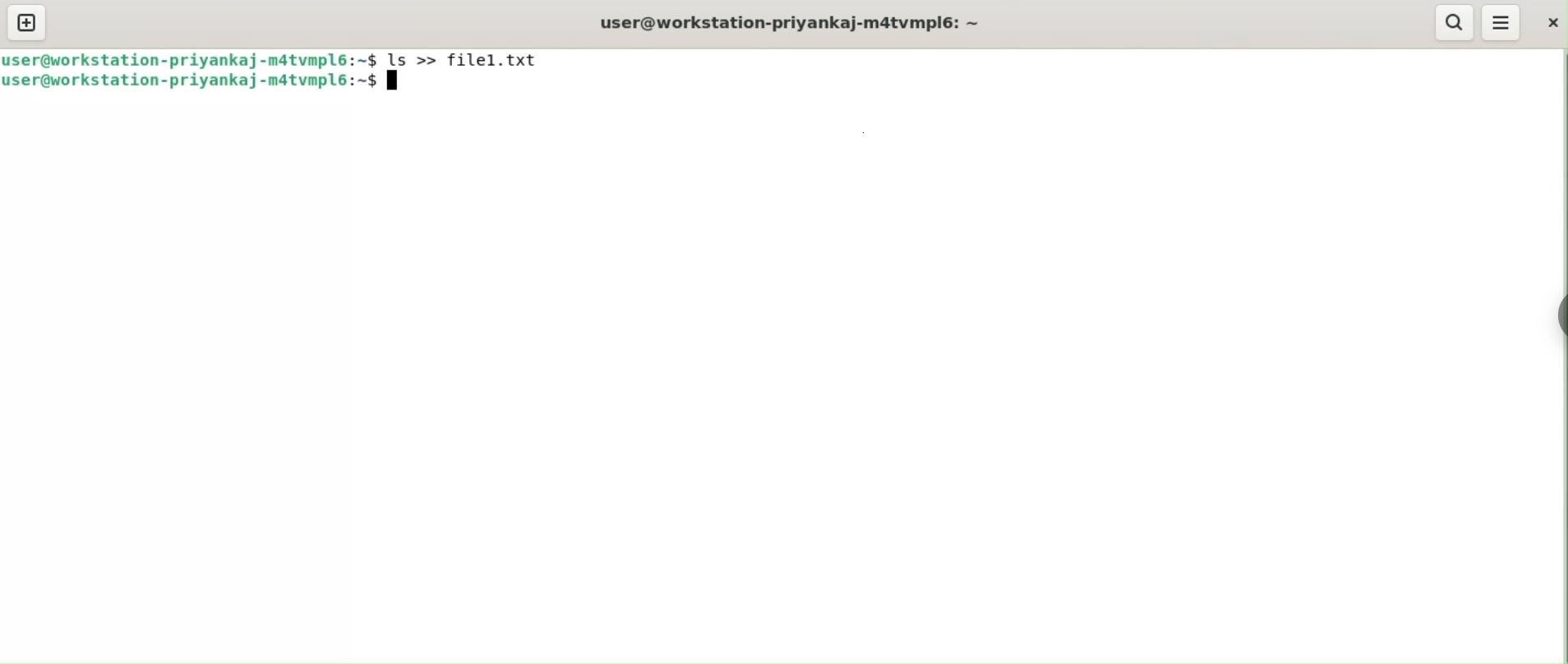 This screenshot has height=664, width=1568. Describe the element at coordinates (1552, 26) in the screenshot. I see `close` at that location.